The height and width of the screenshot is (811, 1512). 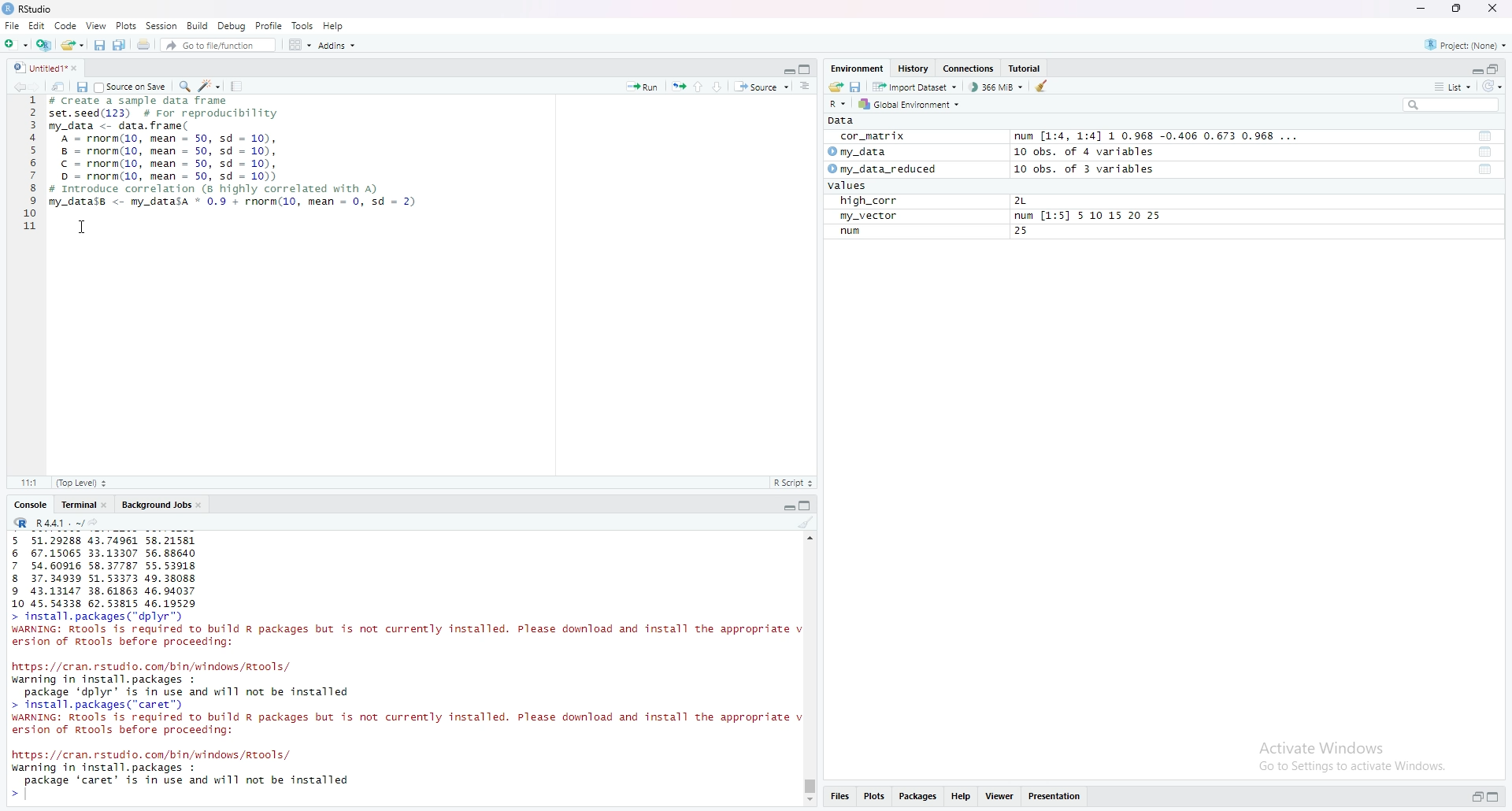 What do you see at coordinates (1476, 797) in the screenshot?
I see `open in separate window` at bounding box center [1476, 797].